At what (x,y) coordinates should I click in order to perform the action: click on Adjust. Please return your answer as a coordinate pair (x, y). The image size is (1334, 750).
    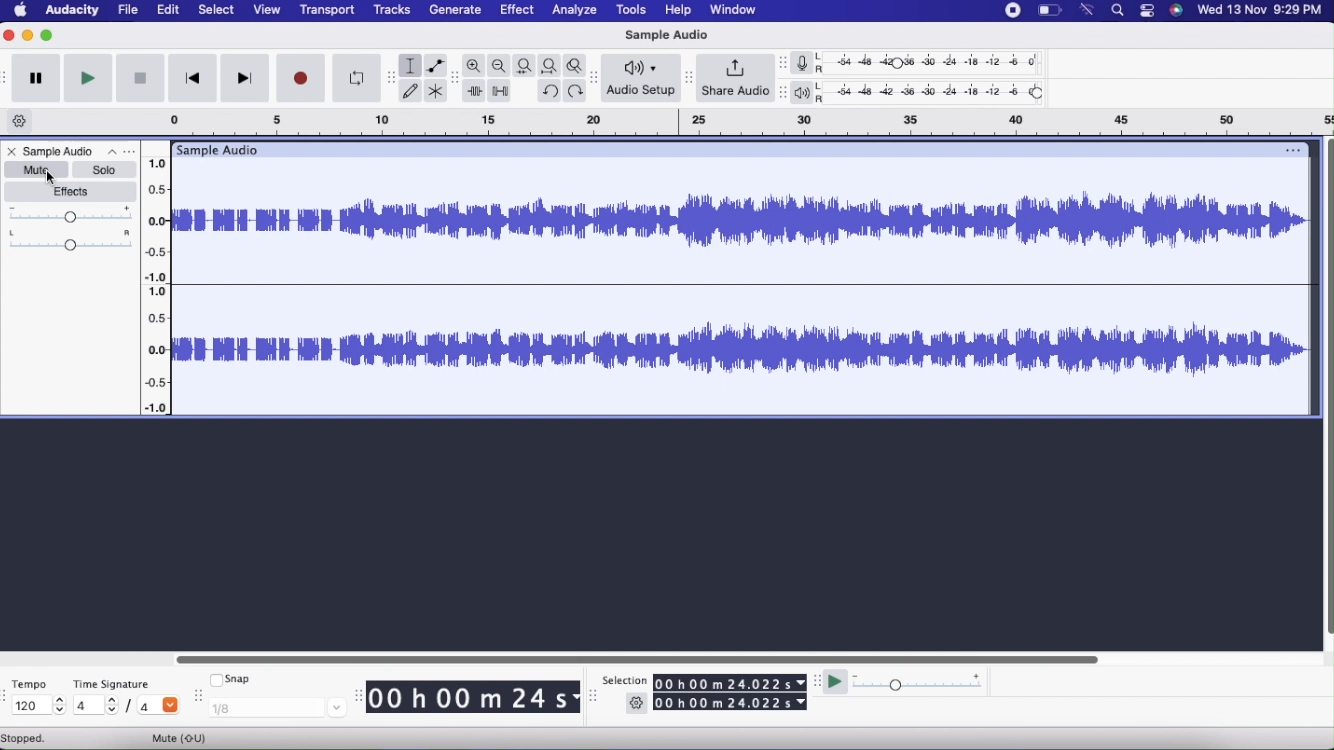
    Looking at the image, I should click on (687, 74).